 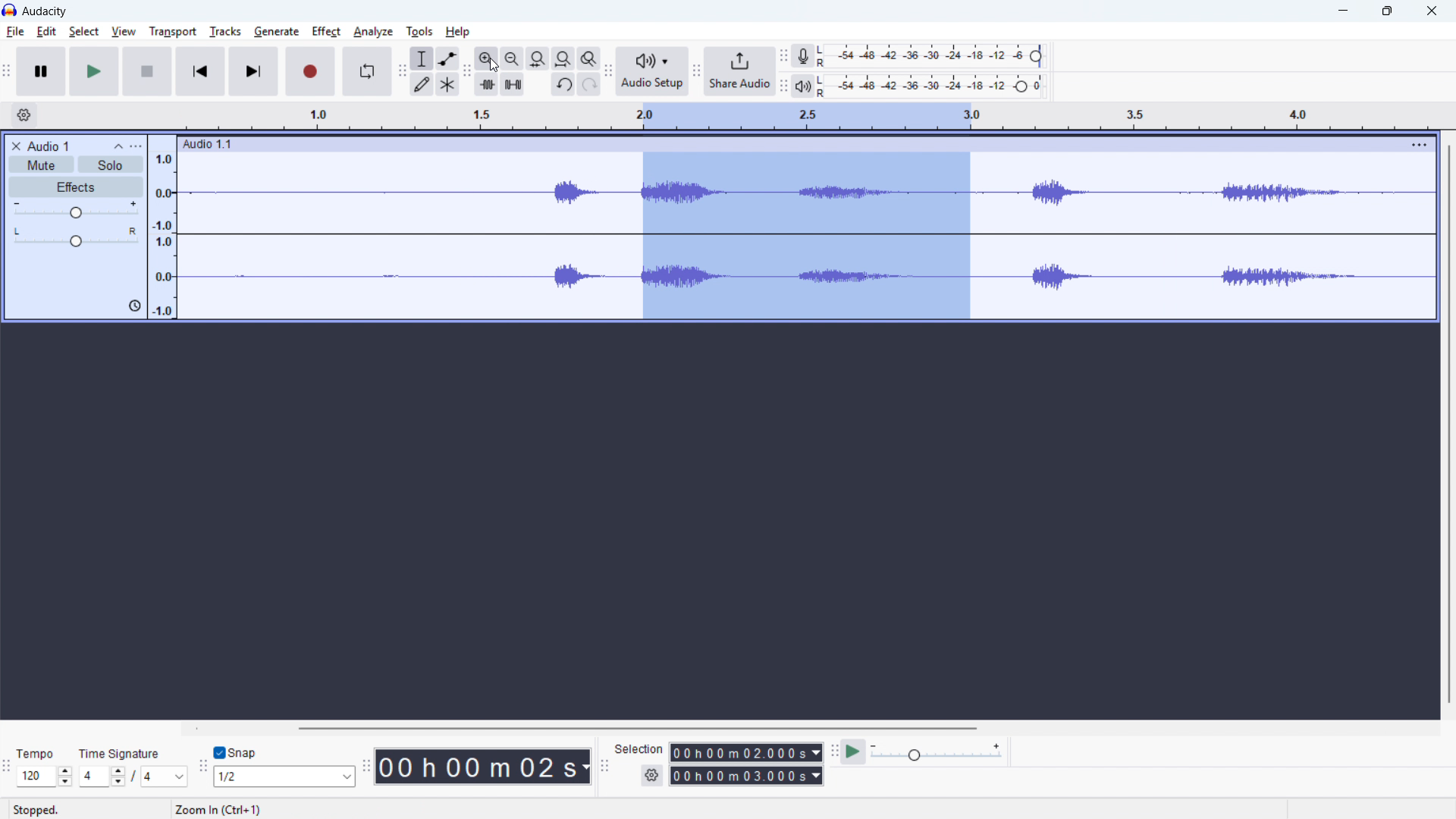 What do you see at coordinates (45, 11) in the screenshot?
I see `audacity` at bounding box center [45, 11].